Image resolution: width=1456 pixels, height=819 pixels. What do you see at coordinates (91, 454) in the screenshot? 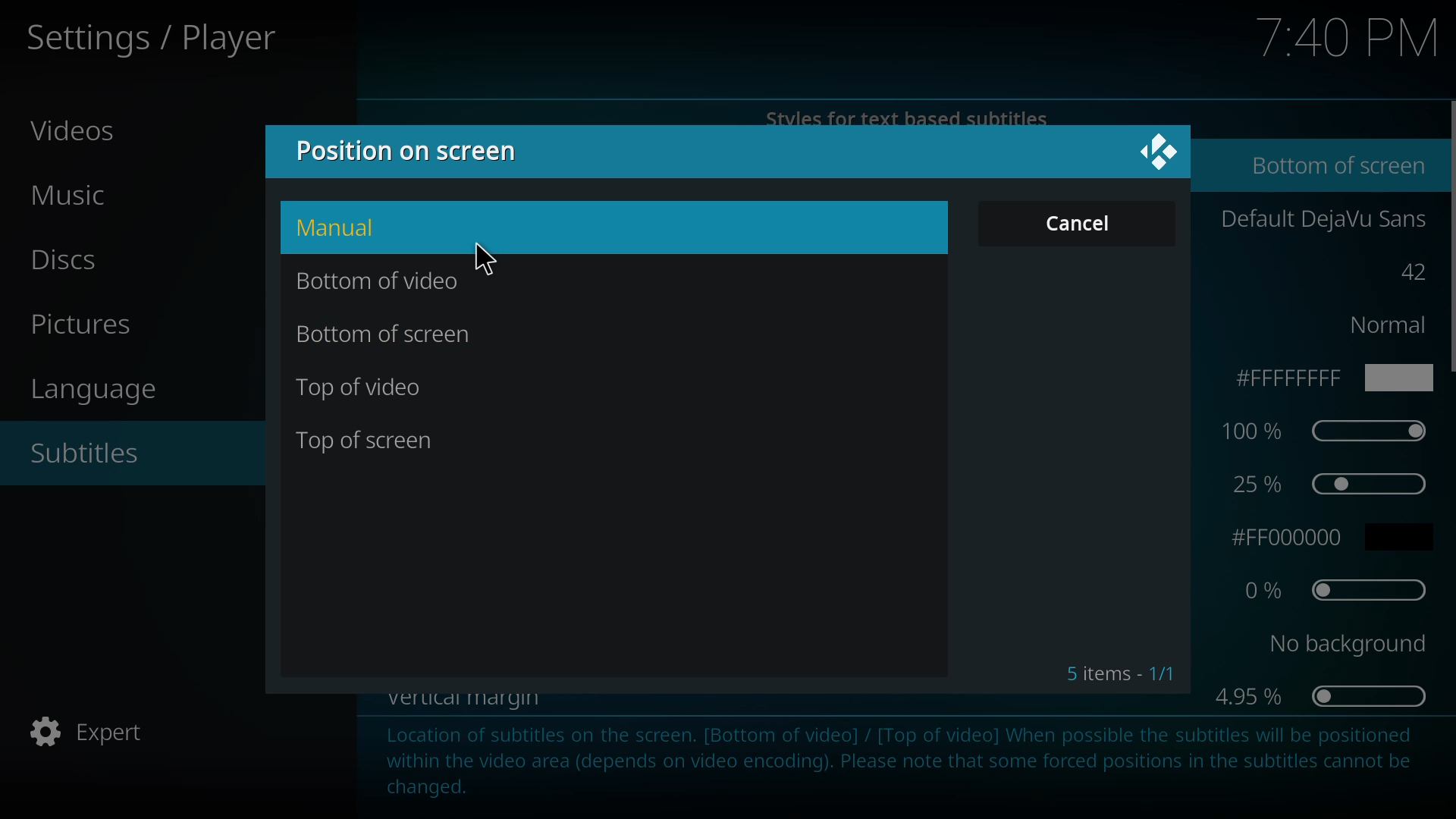
I see `subtitles` at bounding box center [91, 454].